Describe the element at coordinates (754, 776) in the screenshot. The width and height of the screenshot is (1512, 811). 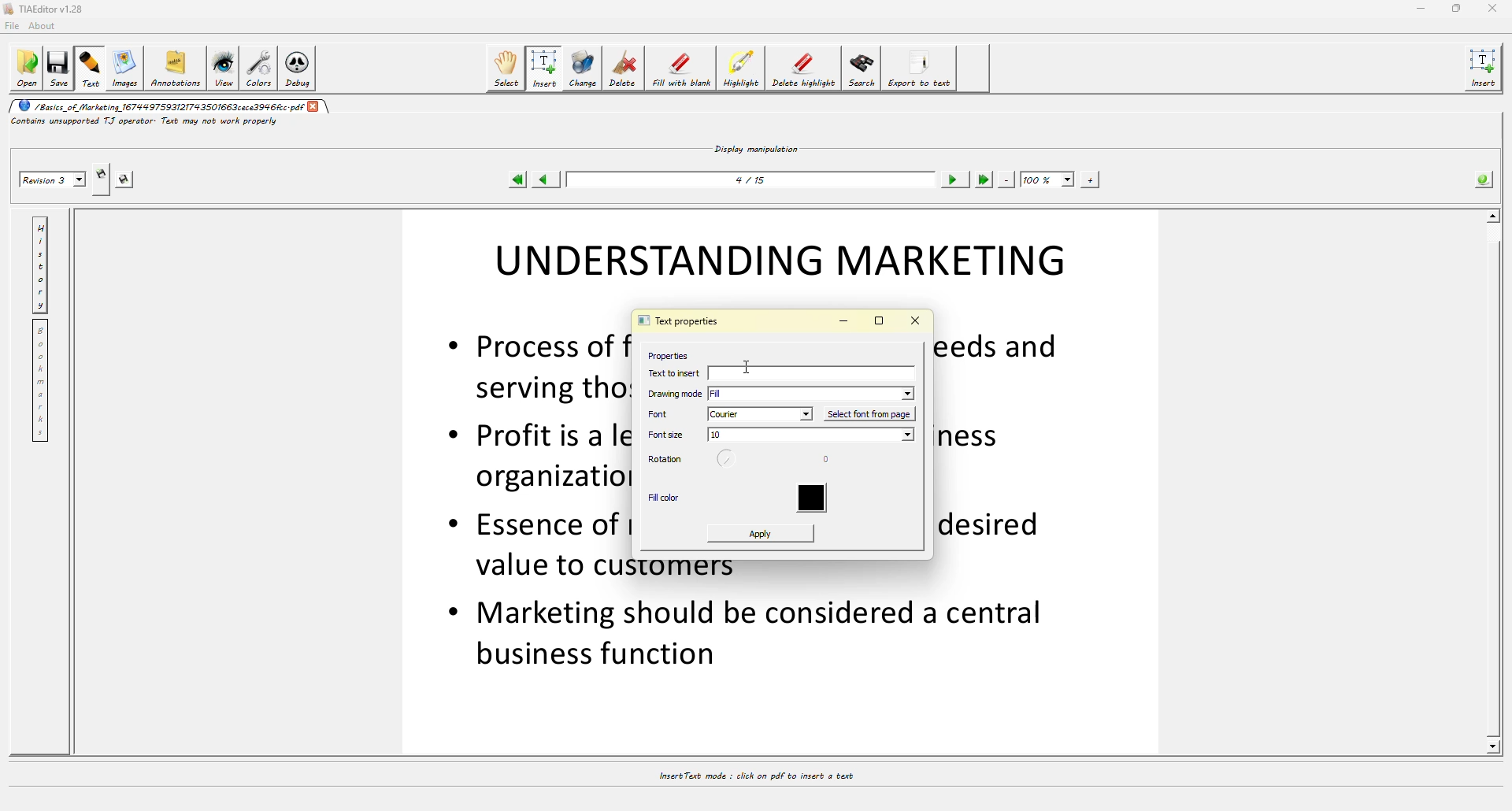
I see `insert text mode: click on pdf to insert a text` at that location.